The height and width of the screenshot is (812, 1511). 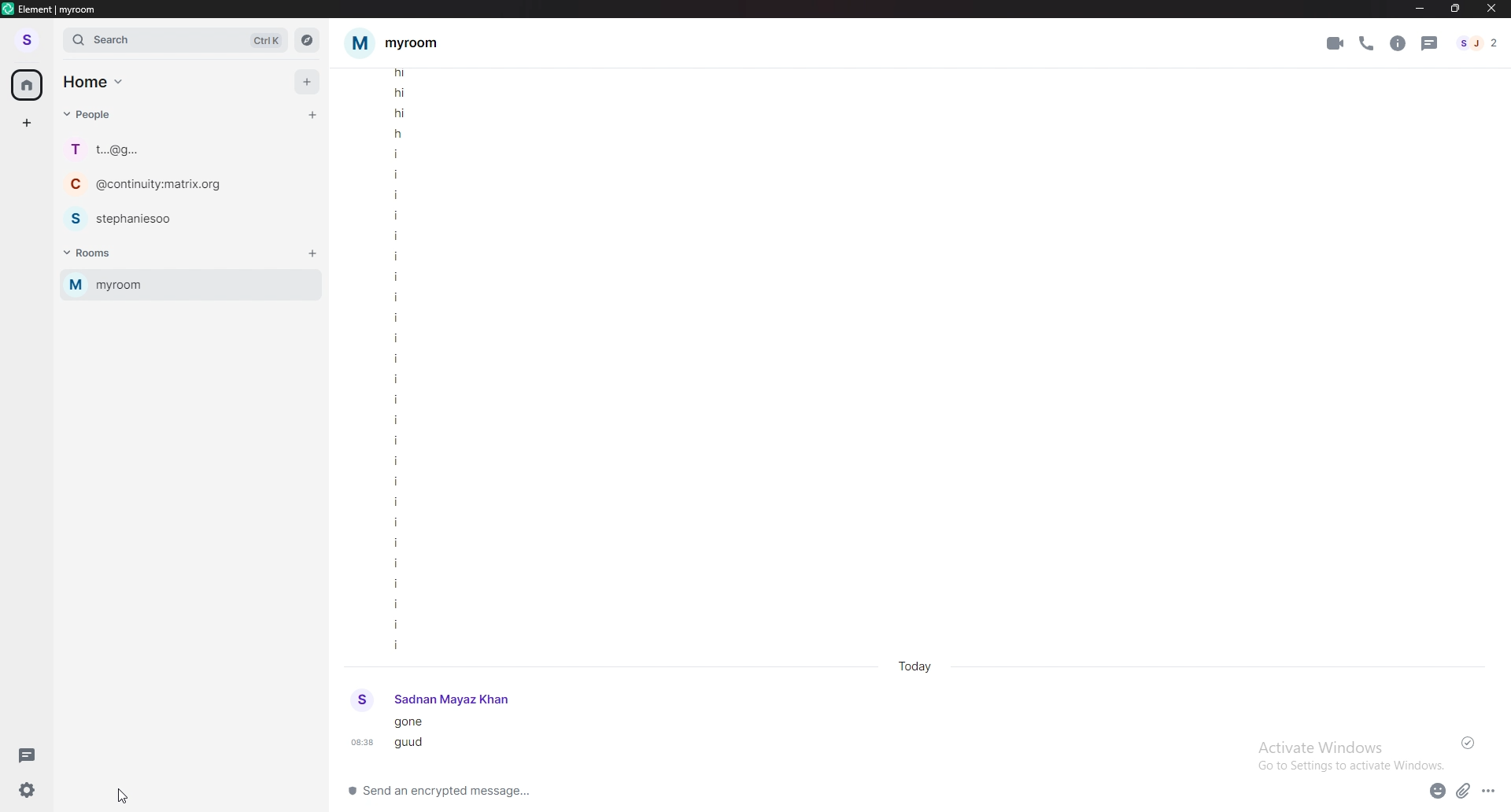 What do you see at coordinates (453, 792) in the screenshot?
I see `Send an encrypted message...` at bounding box center [453, 792].